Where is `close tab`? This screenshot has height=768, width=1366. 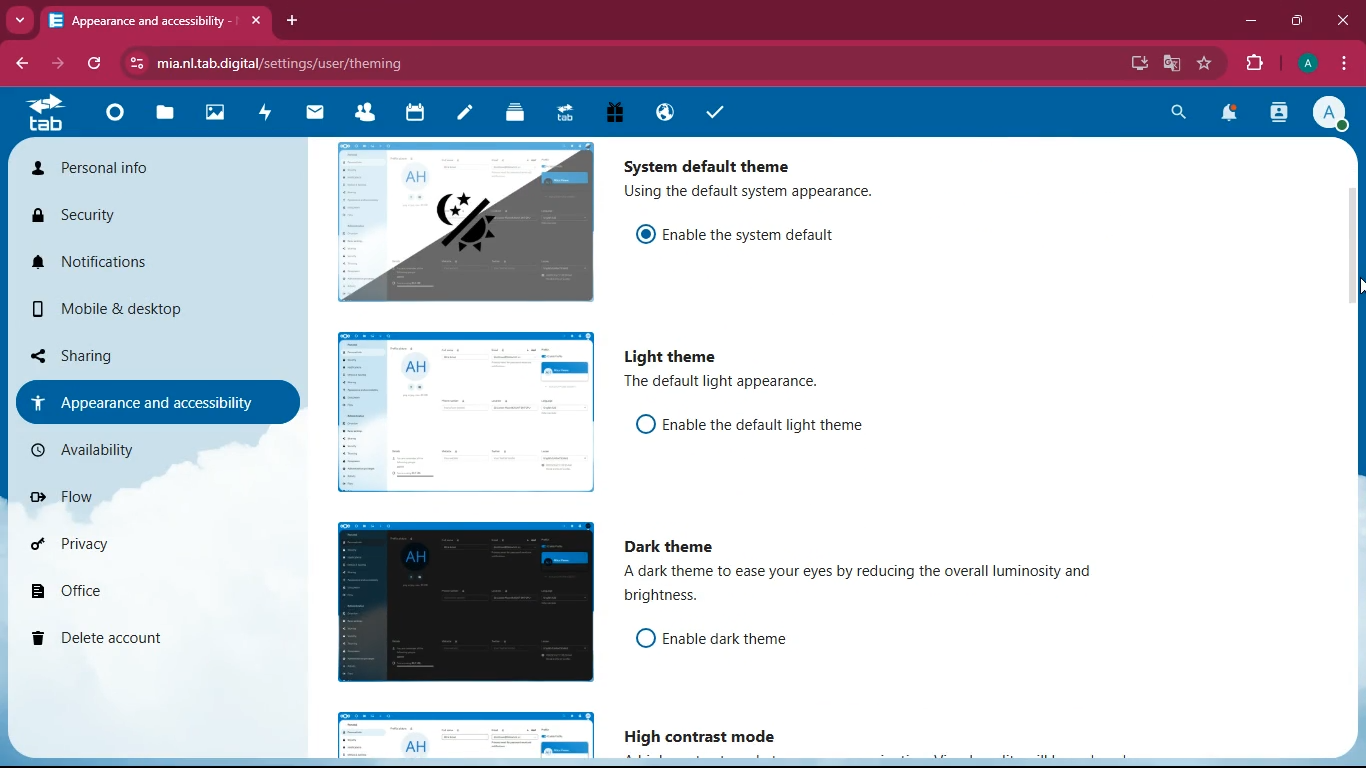 close tab is located at coordinates (256, 21).